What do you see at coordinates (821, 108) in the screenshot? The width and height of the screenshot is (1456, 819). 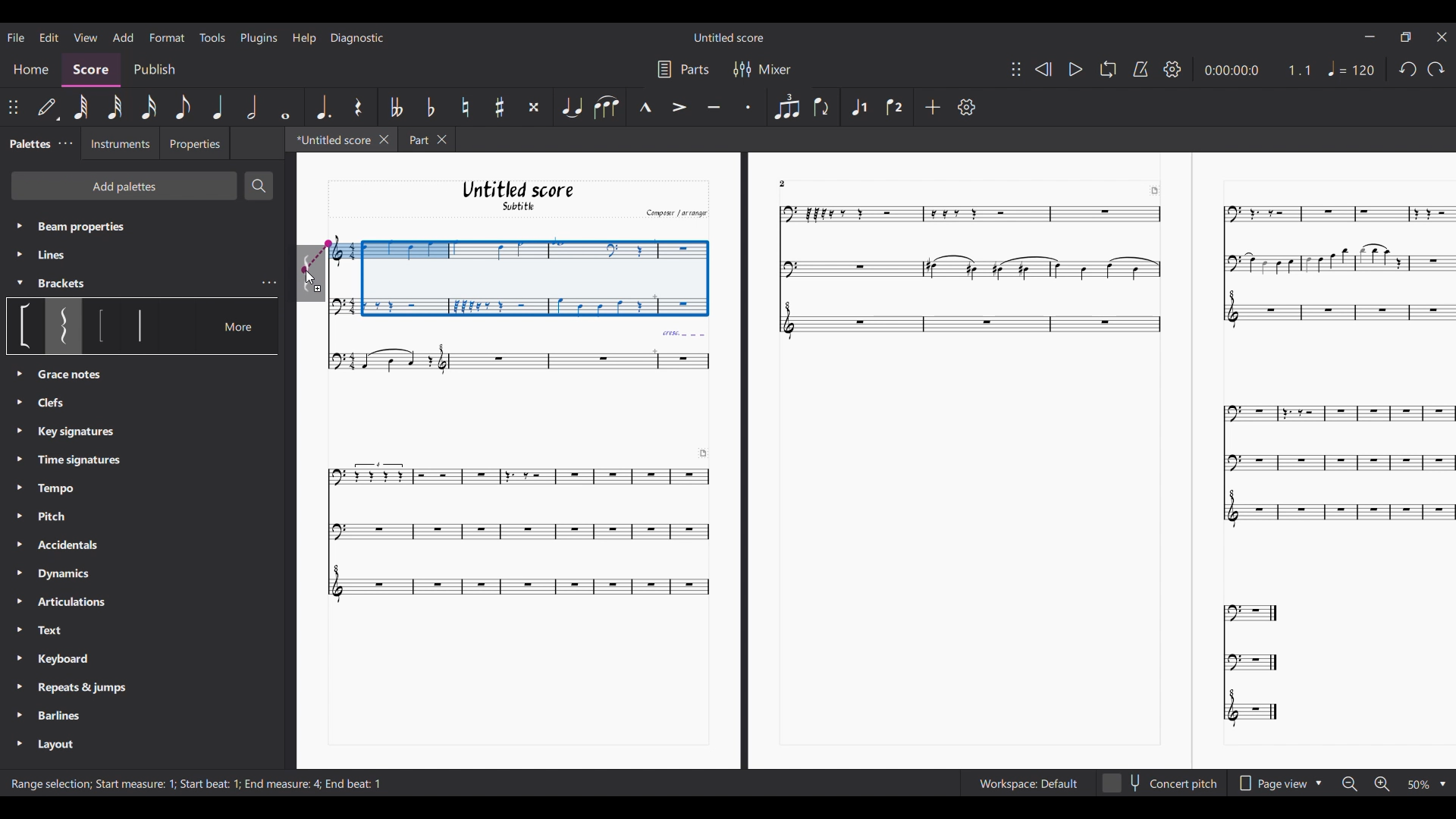 I see `Flip direction` at bounding box center [821, 108].